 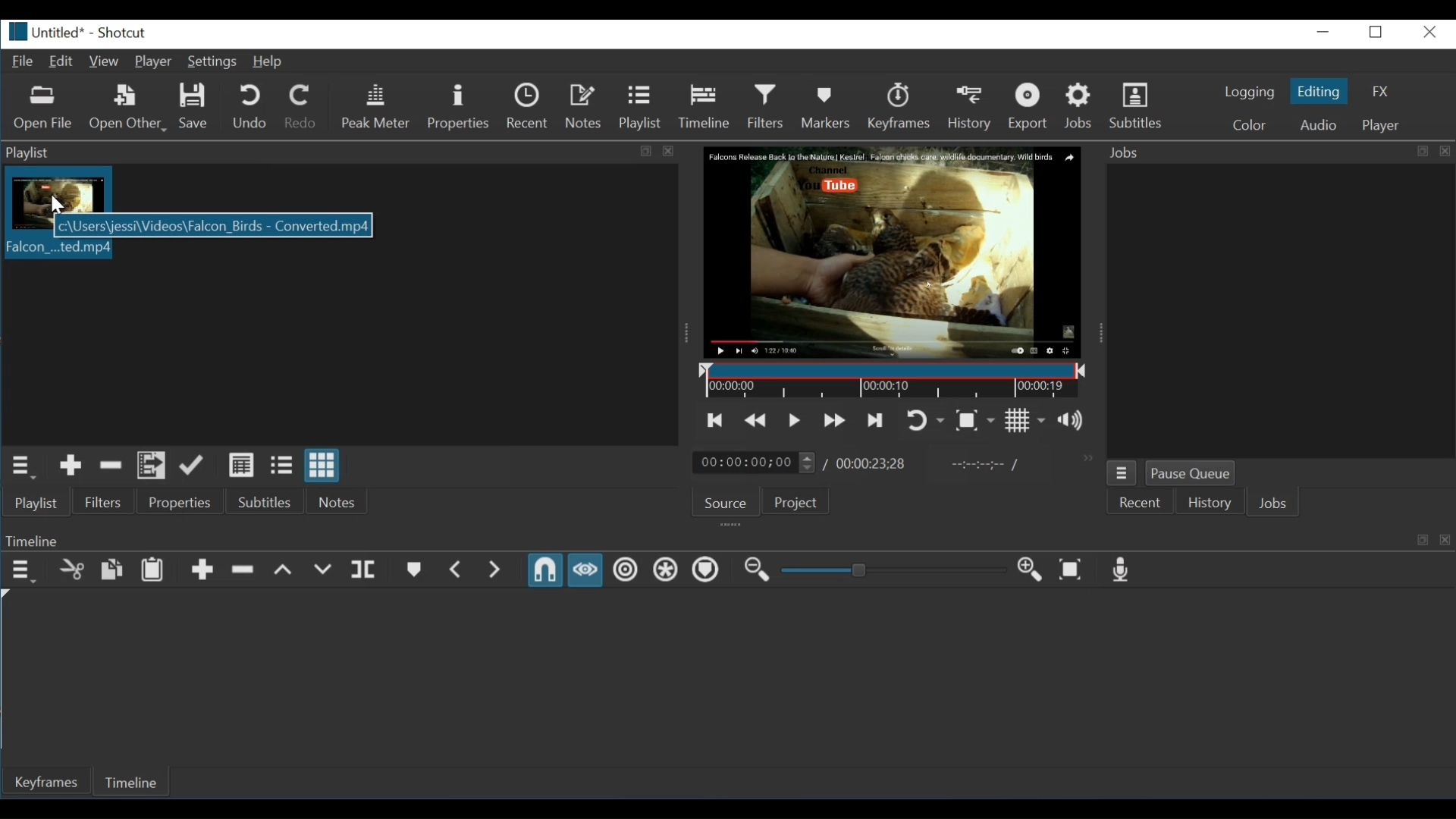 I want to click on Properties, so click(x=458, y=108).